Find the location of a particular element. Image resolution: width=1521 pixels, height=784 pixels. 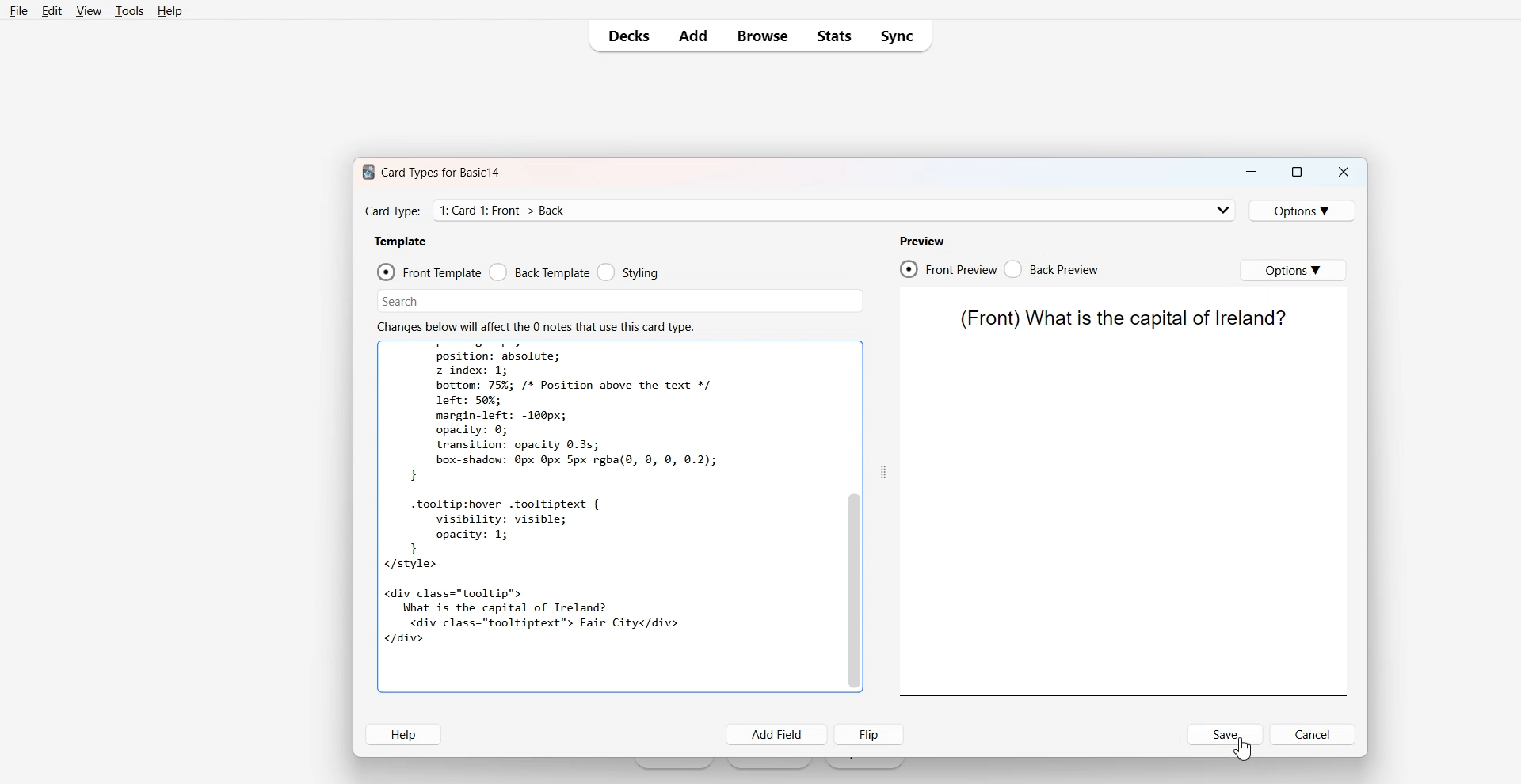

Card Type is located at coordinates (834, 211).